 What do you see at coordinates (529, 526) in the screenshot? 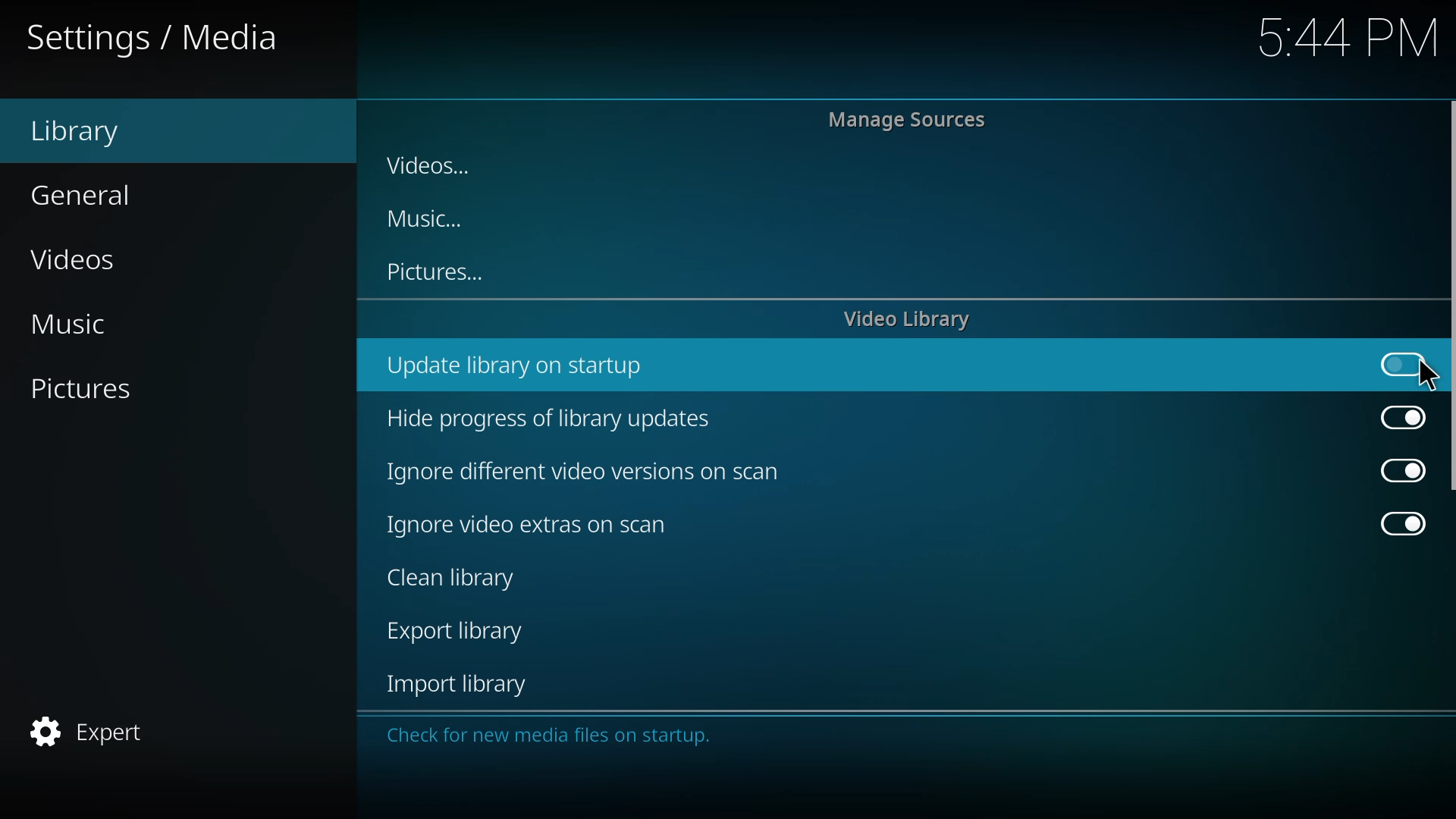
I see `ignore video extras on scan` at bounding box center [529, 526].